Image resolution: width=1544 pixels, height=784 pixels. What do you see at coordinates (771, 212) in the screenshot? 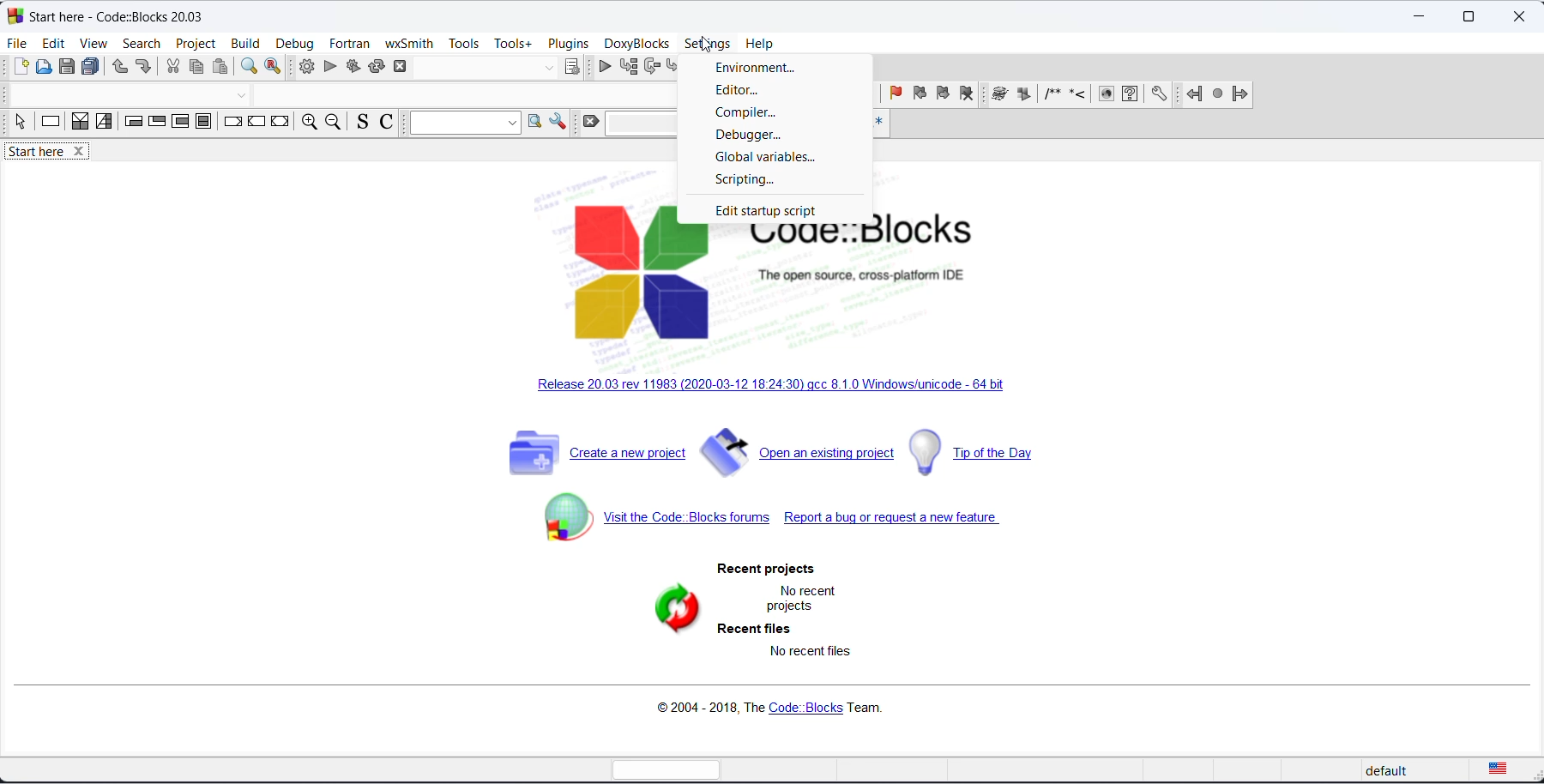
I see `Edit startup script` at bounding box center [771, 212].